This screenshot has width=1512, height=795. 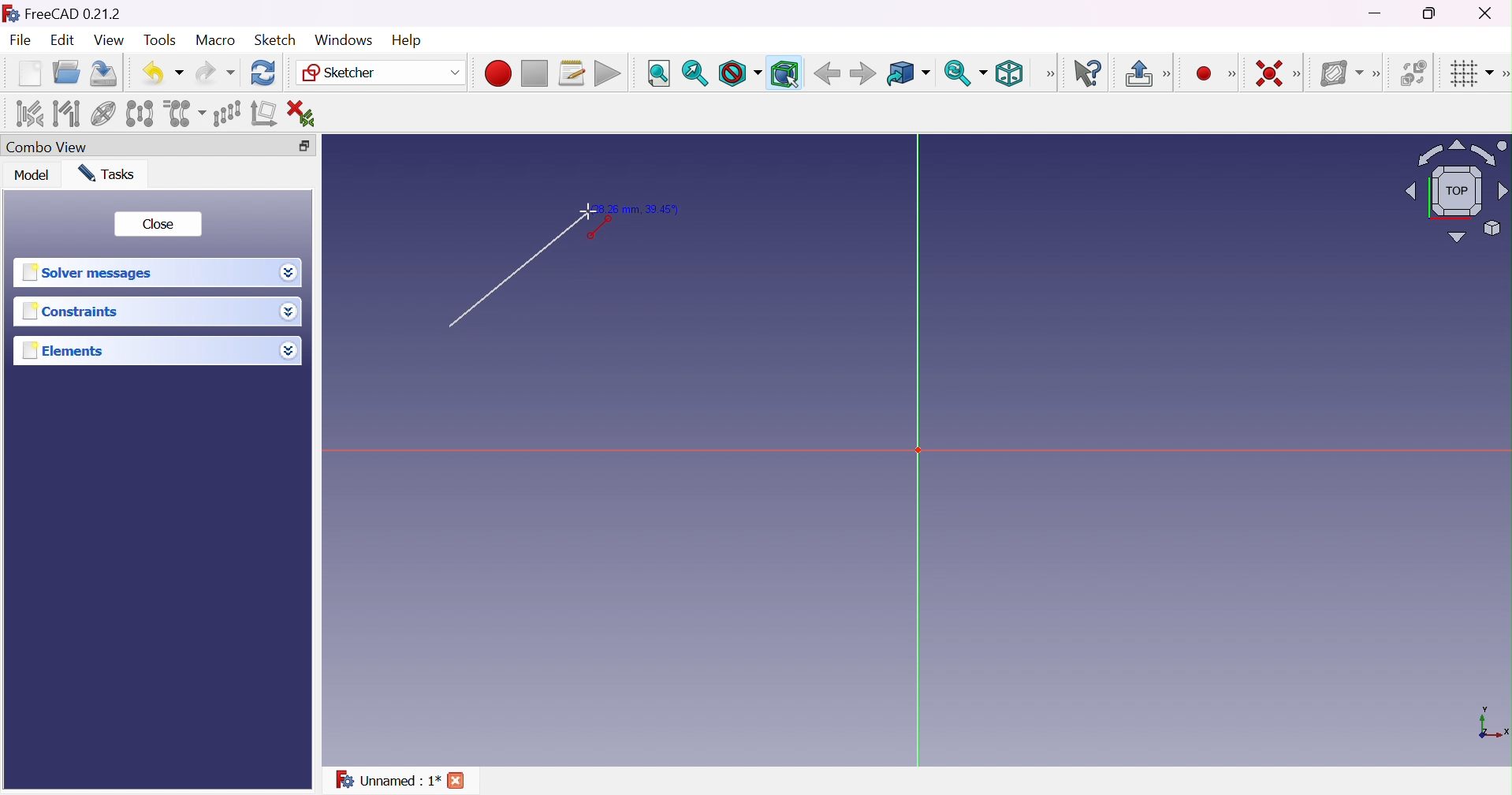 I want to click on Refresh, so click(x=264, y=73).